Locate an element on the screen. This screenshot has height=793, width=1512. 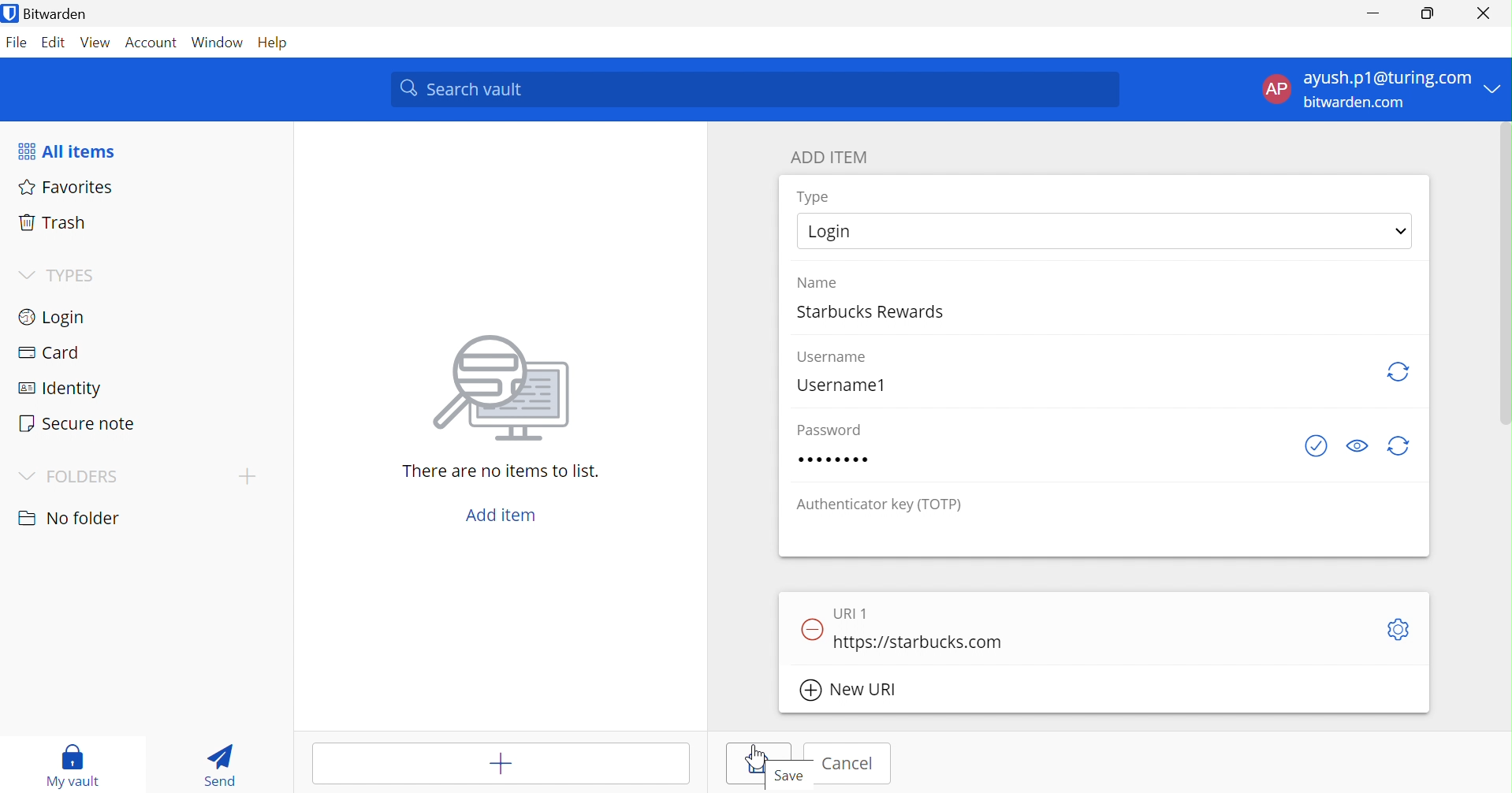
Identify is located at coordinates (59, 390).